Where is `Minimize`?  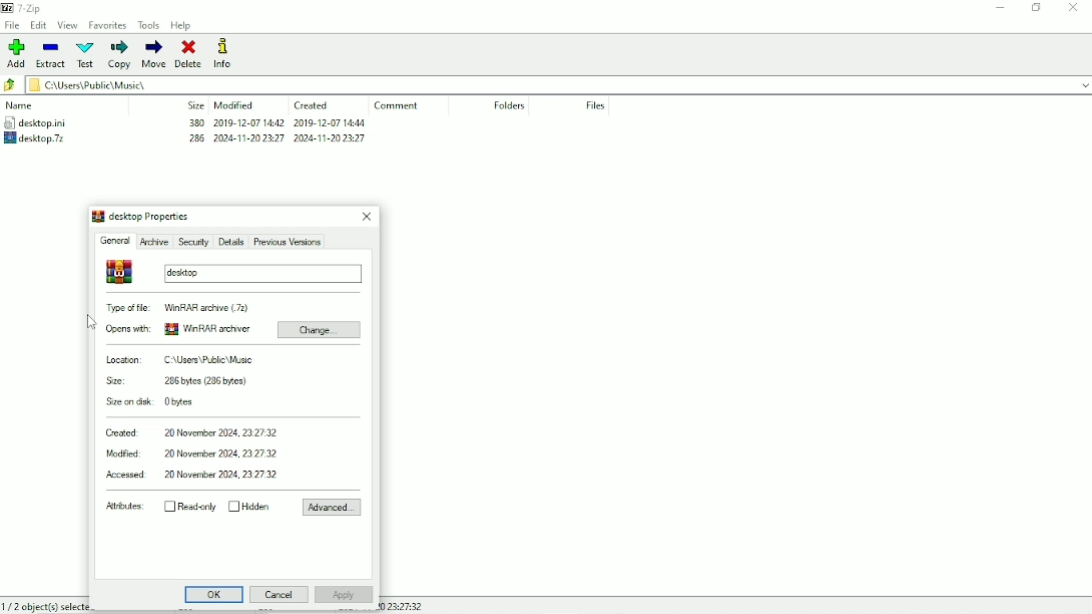 Minimize is located at coordinates (1001, 10).